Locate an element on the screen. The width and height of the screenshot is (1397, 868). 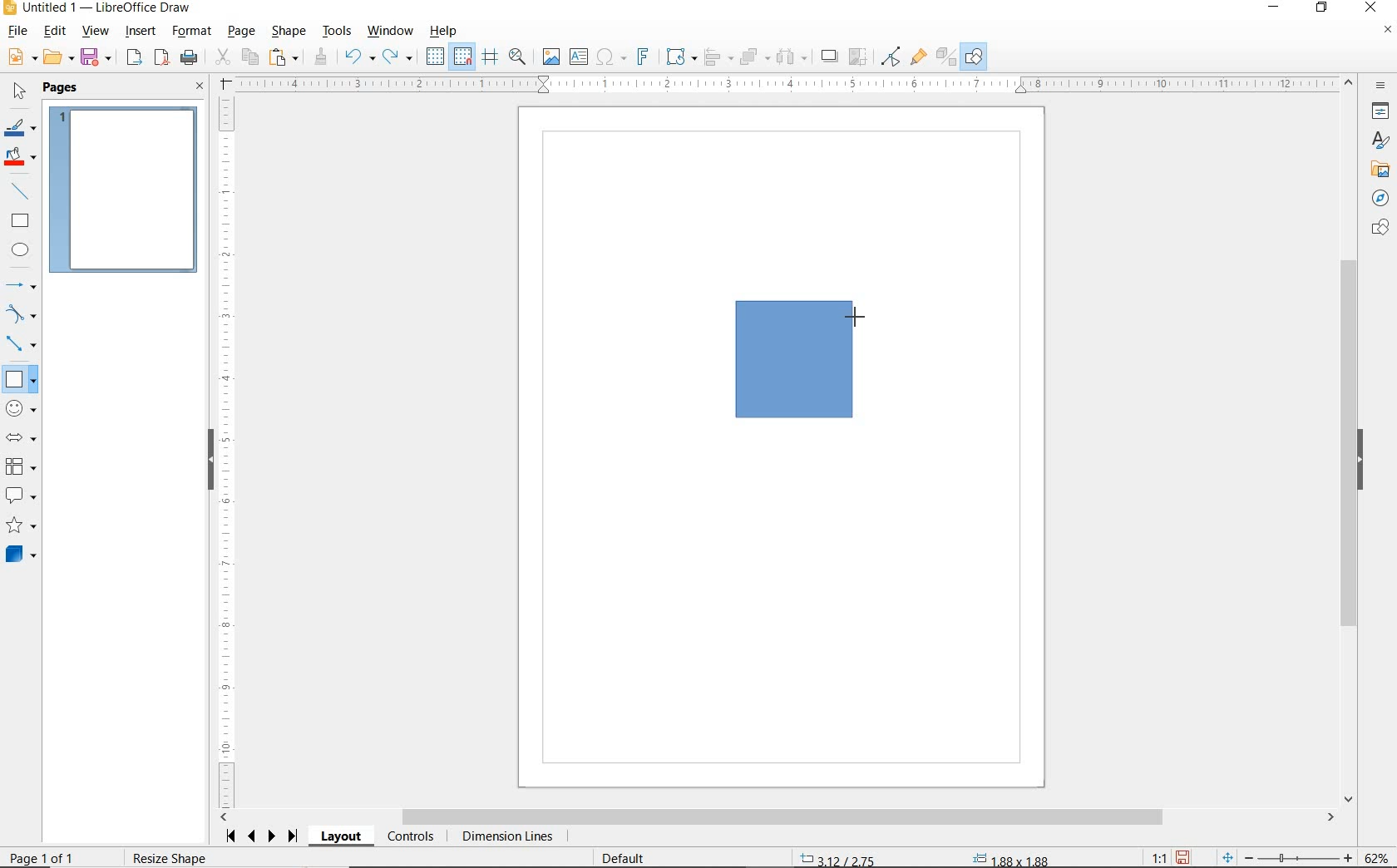
CONTROLS is located at coordinates (410, 837).